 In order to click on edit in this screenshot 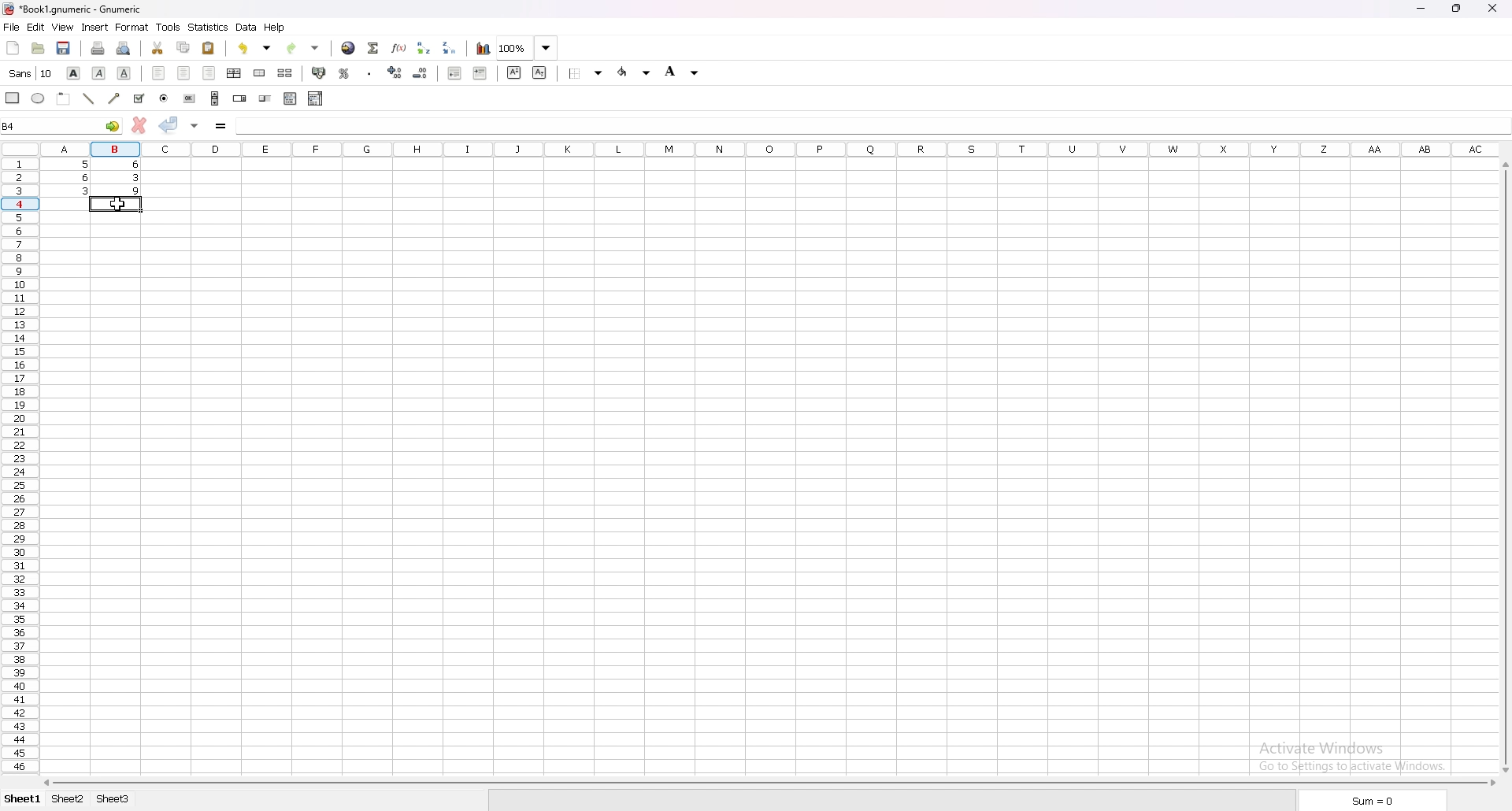, I will do `click(36, 27)`.